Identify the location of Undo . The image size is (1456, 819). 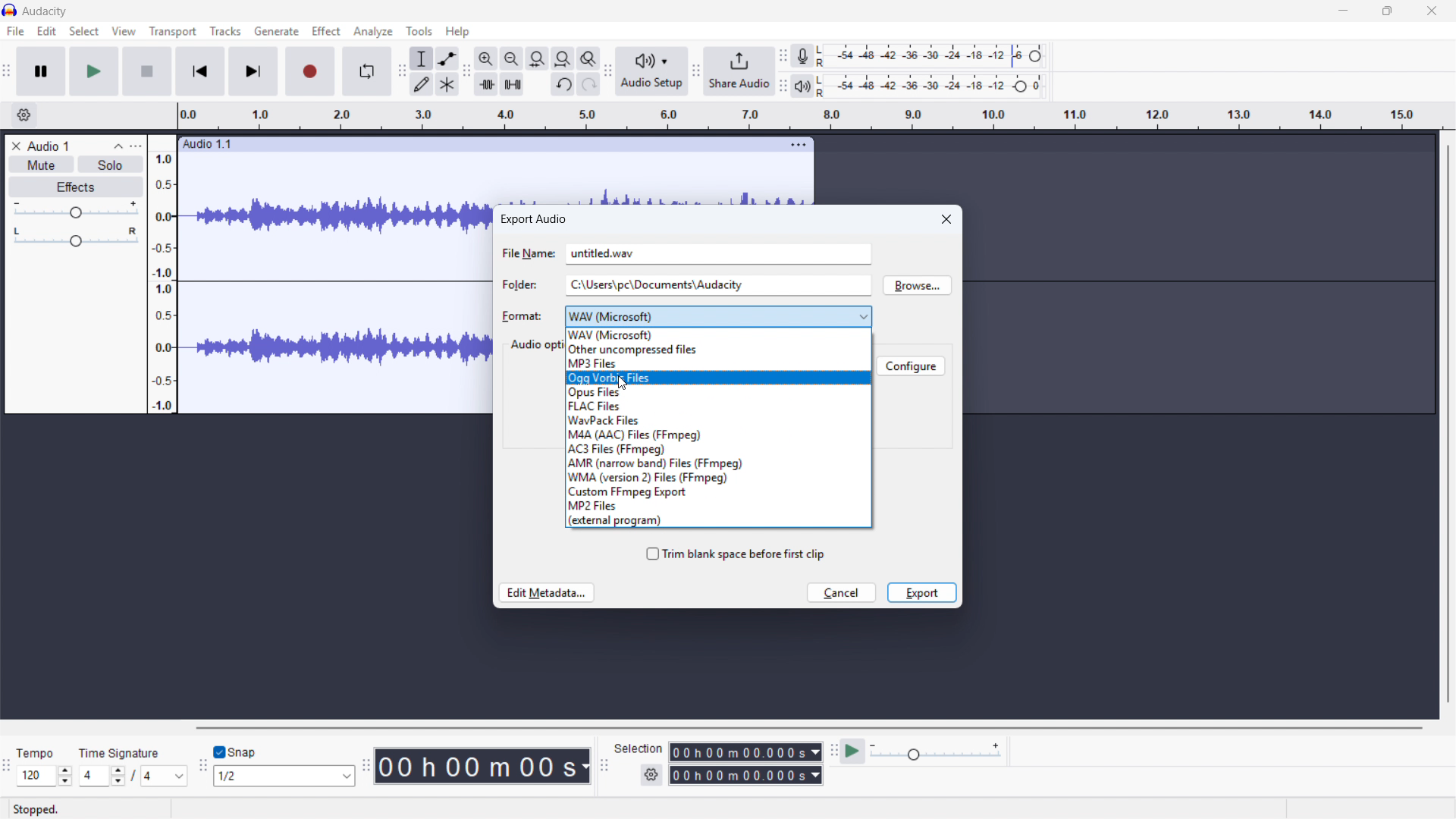
(564, 83).